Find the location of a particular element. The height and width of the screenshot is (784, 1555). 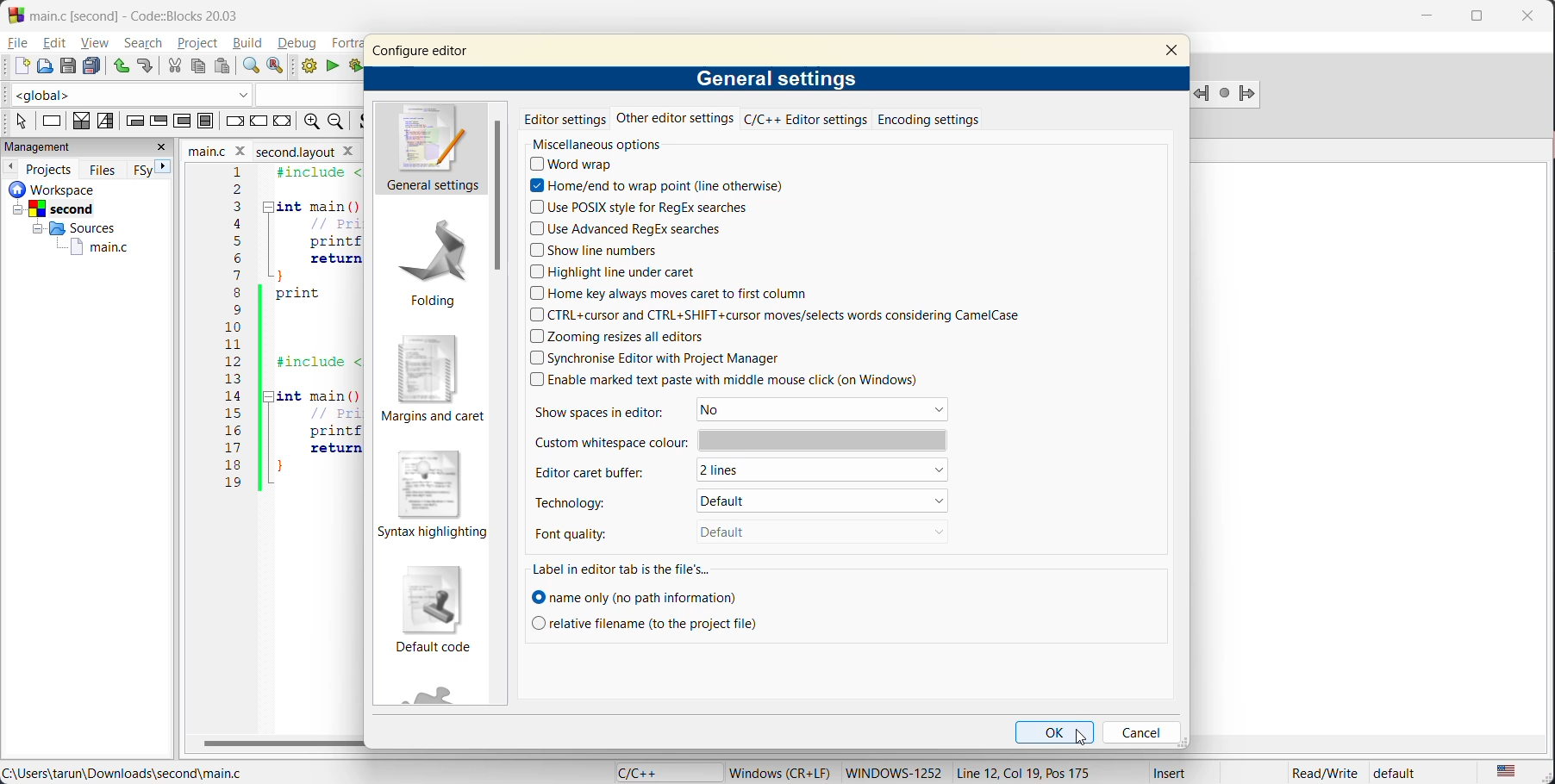

view is located at coordinates (97, 42).